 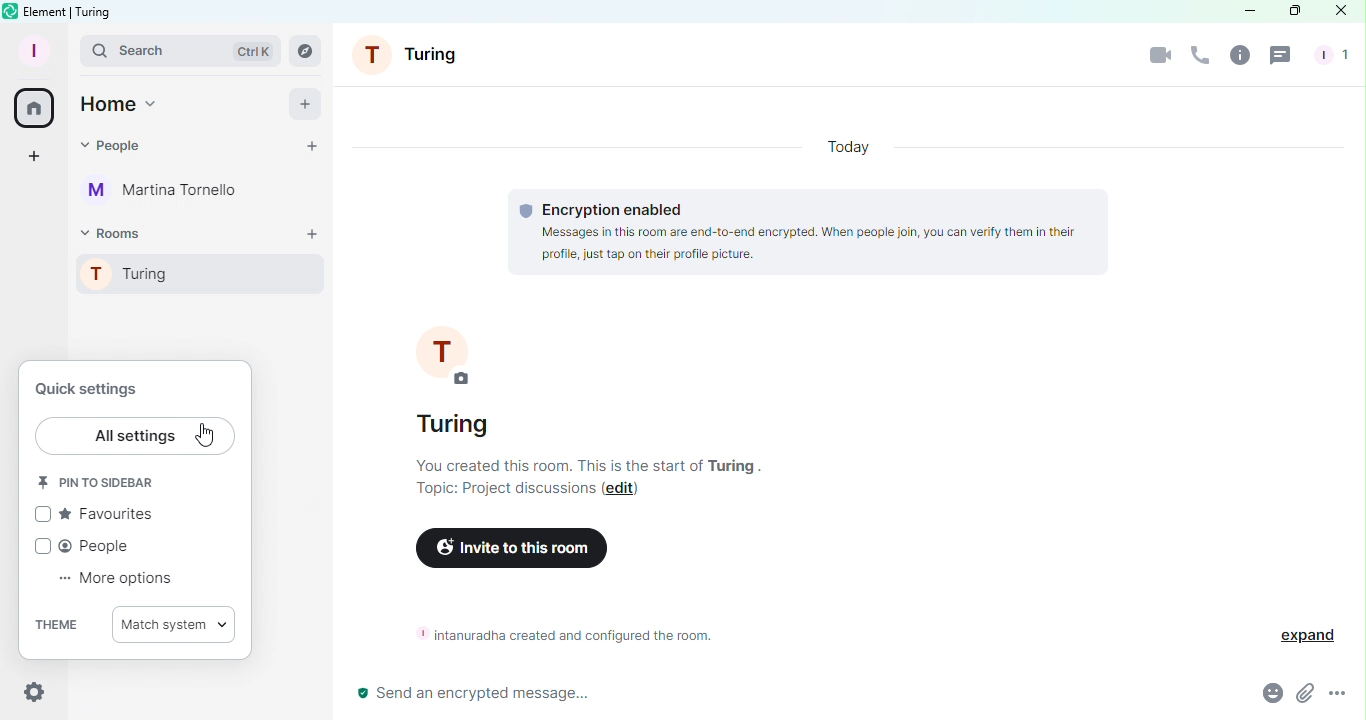 I want to click on Topic, so click(x=498, y=492).